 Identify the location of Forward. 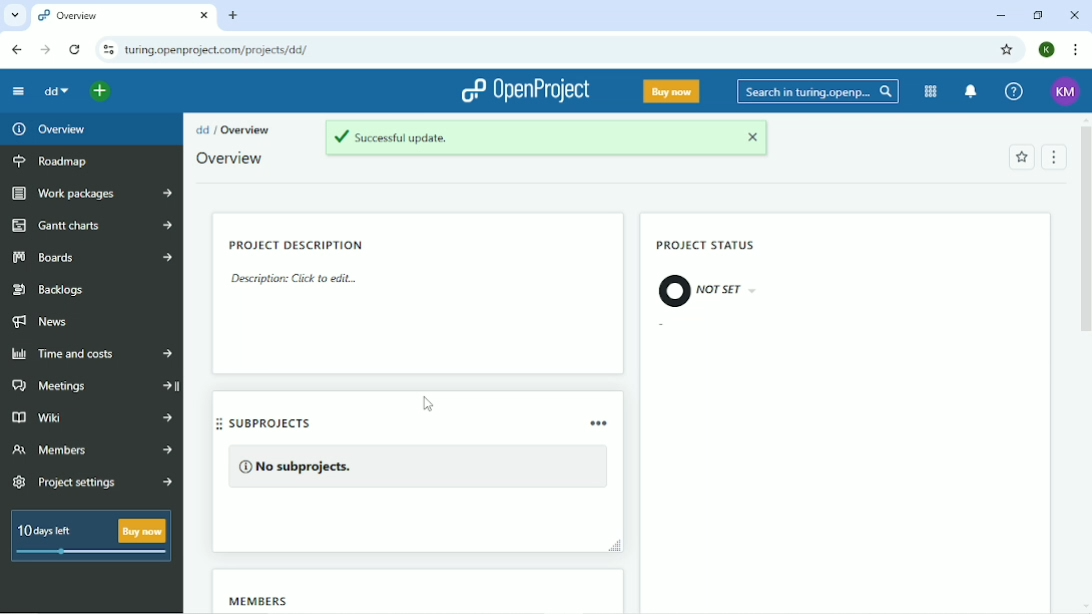
(46, 50).